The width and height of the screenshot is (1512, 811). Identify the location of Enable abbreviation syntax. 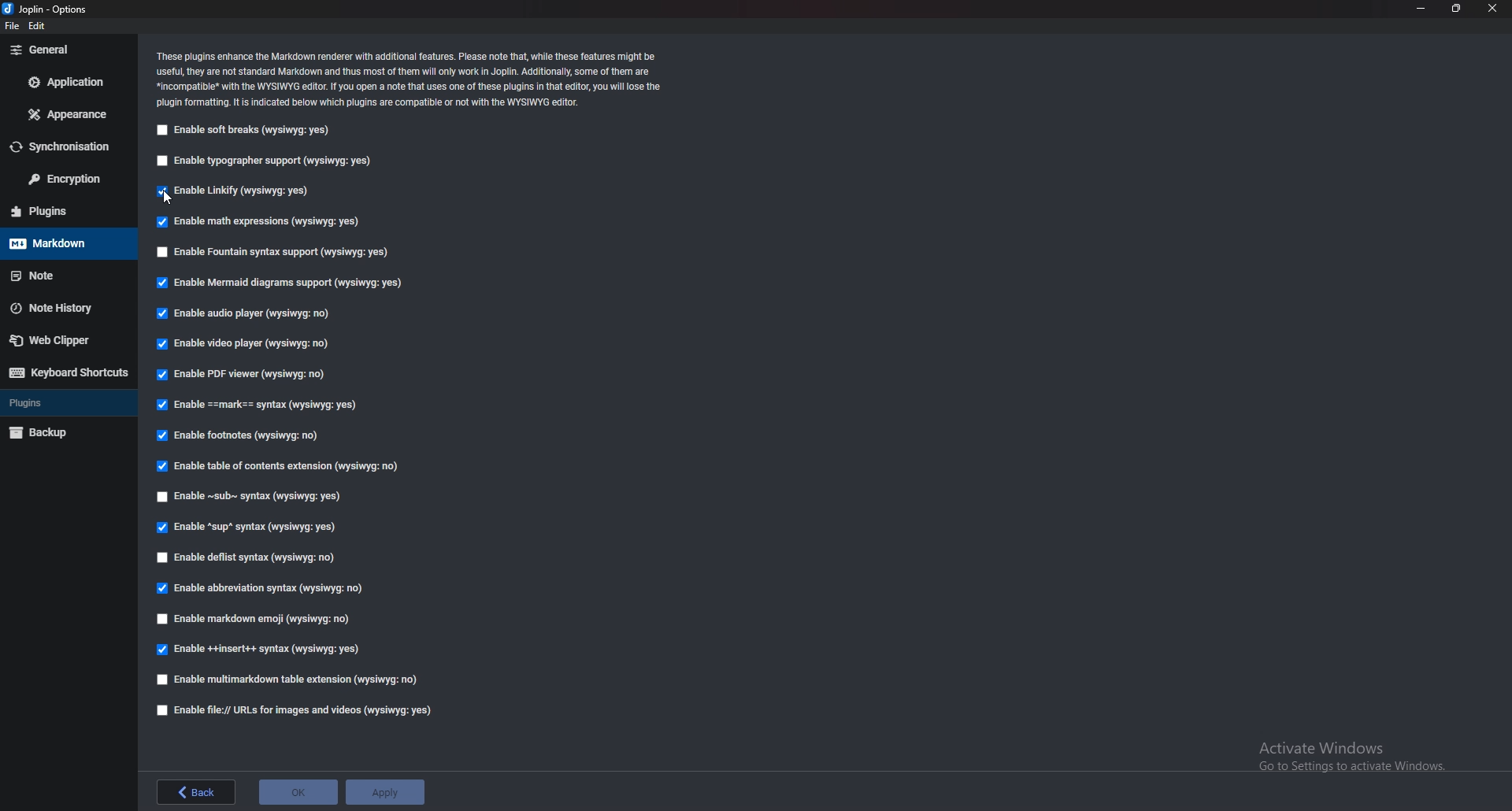
(264, 589).